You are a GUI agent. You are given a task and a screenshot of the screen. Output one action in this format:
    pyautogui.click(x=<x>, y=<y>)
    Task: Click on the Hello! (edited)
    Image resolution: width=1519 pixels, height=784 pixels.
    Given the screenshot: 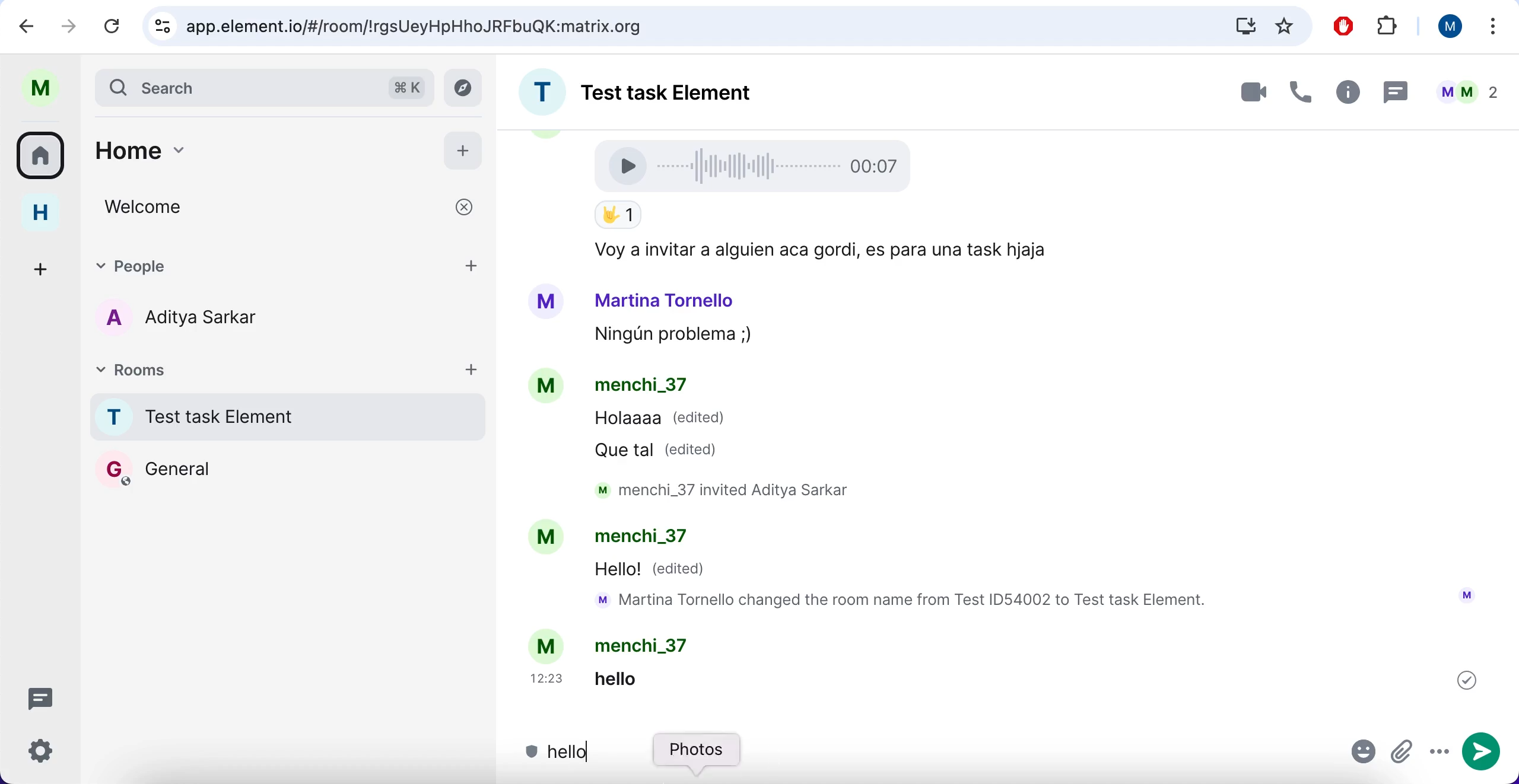 What is the action you would take?
    pyautogui.click(x=652, y=571)
    